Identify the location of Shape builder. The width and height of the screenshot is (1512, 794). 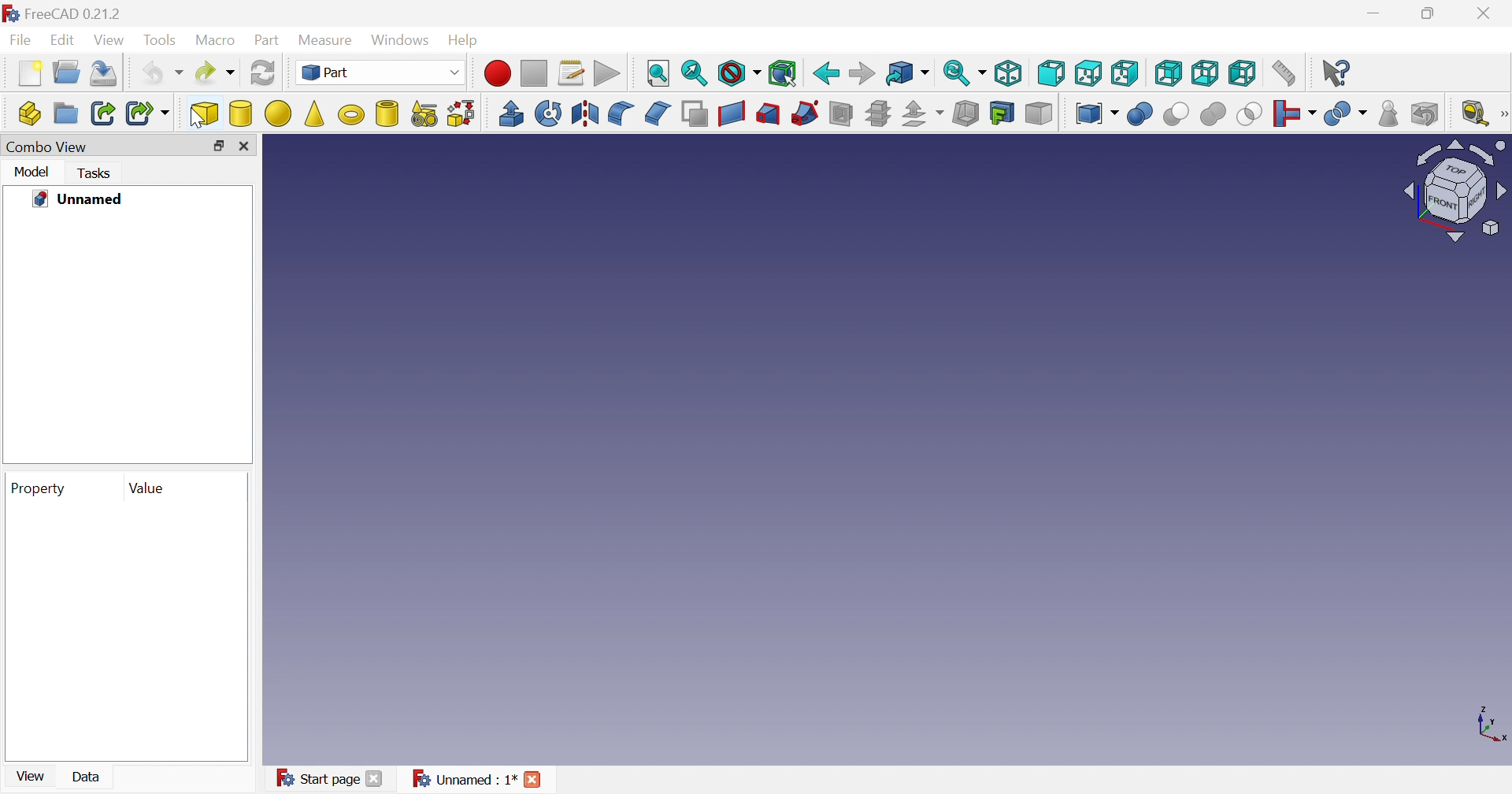
(462, 114).